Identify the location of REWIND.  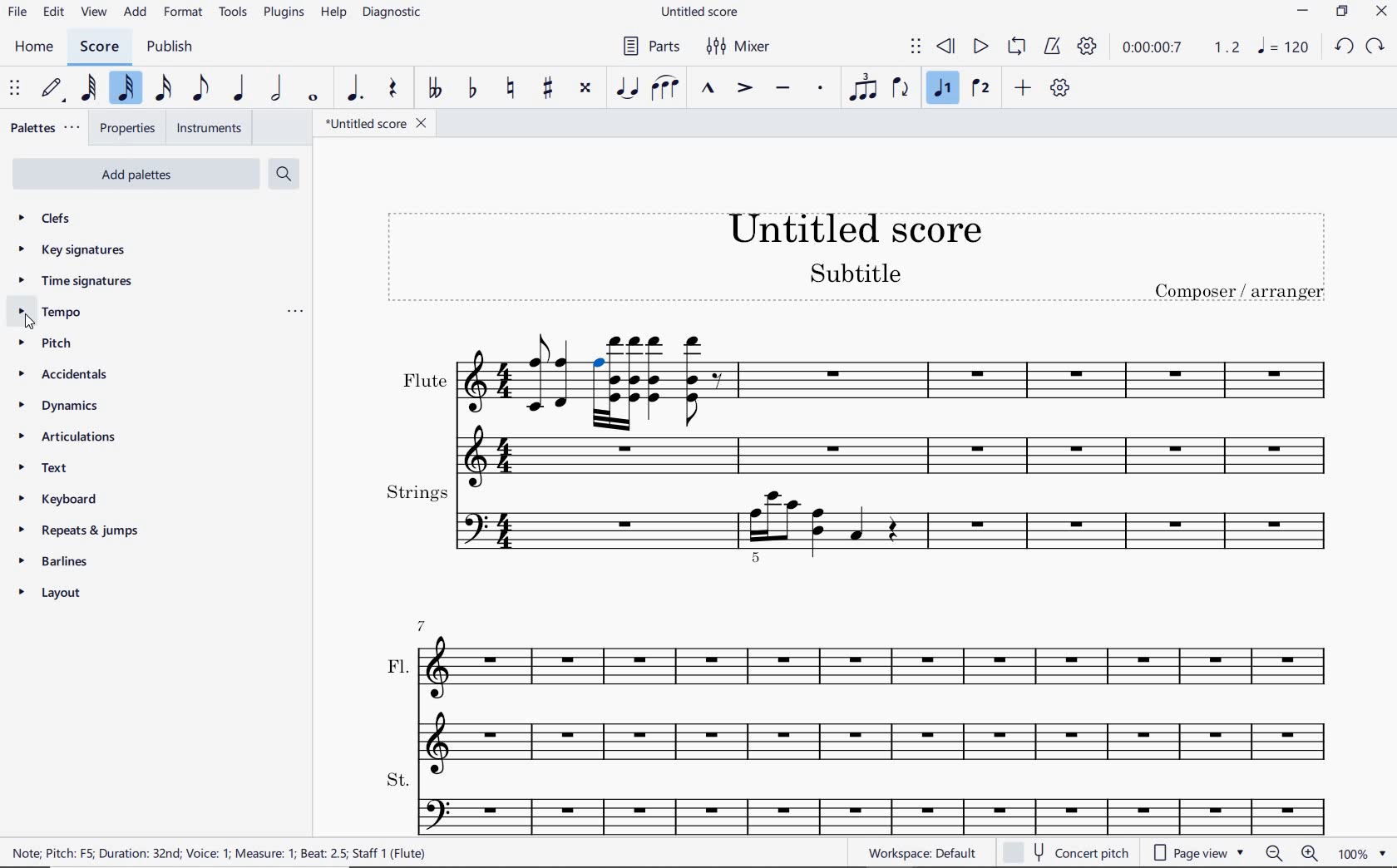
(946, 45).